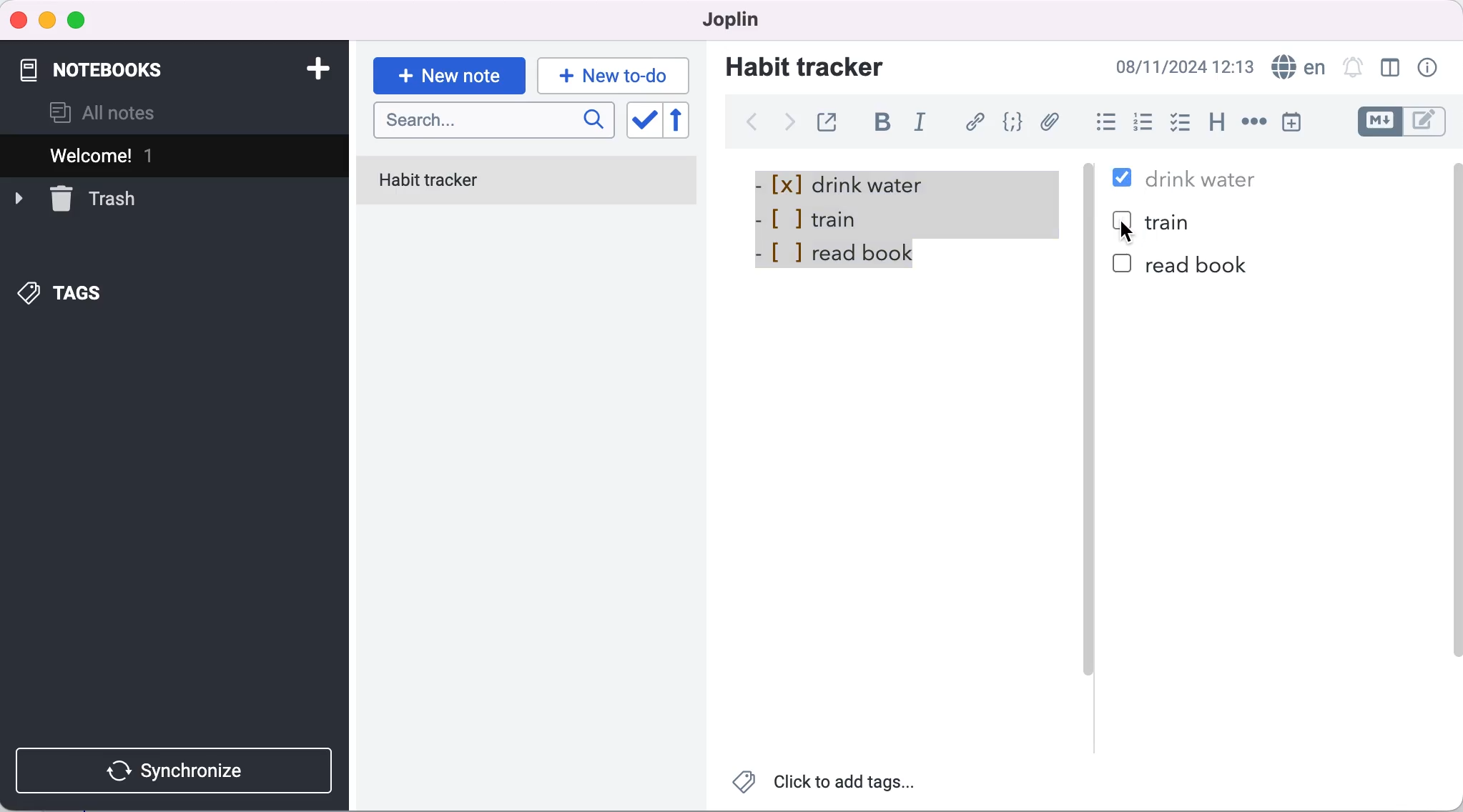 This screenshot has height=812, width=1463. Describe the element at coordinates (1352, 66) in the screenshot. I see `set alarm` at that location.